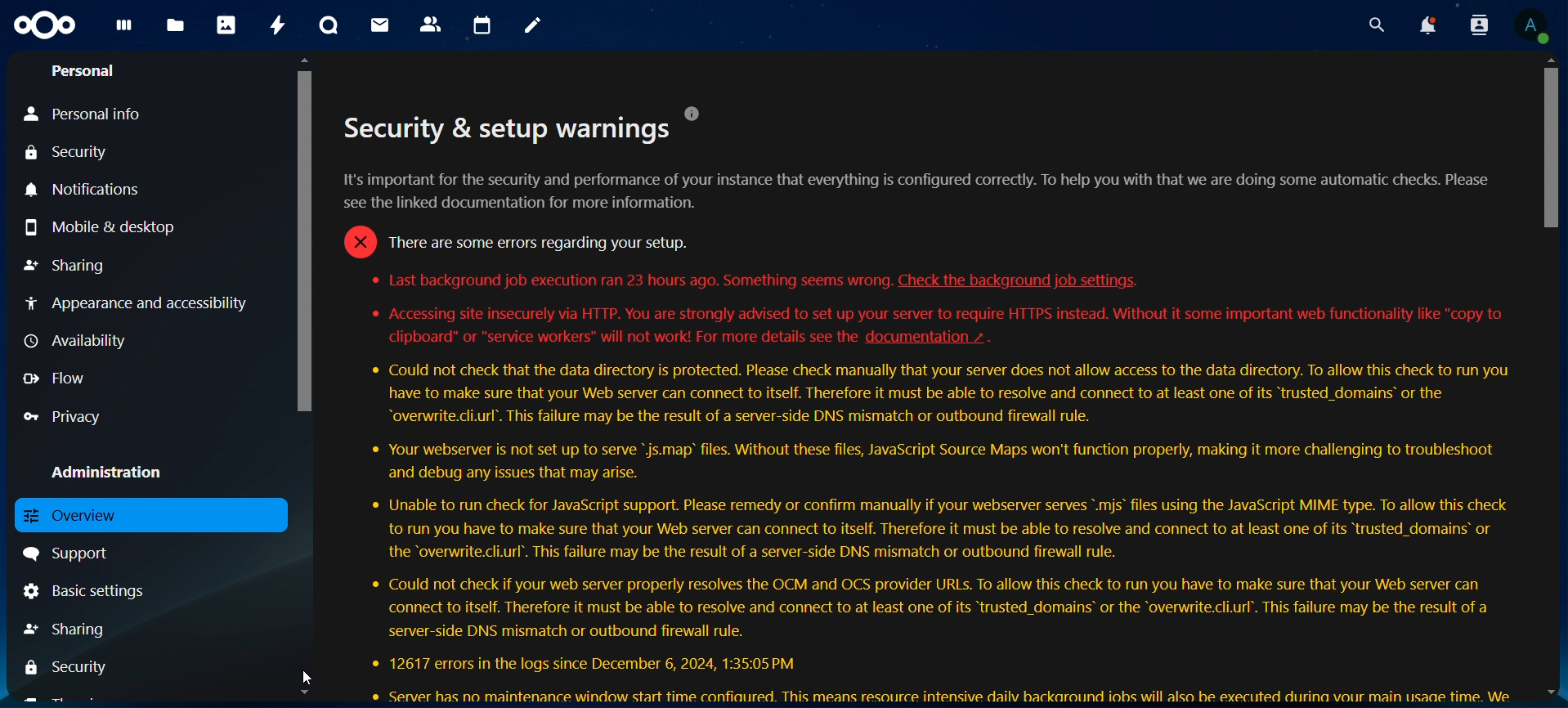 The image size is (1568, 708). Describe the element at coordinates (1375, 21) in the screenshot. I see `search` at that location.